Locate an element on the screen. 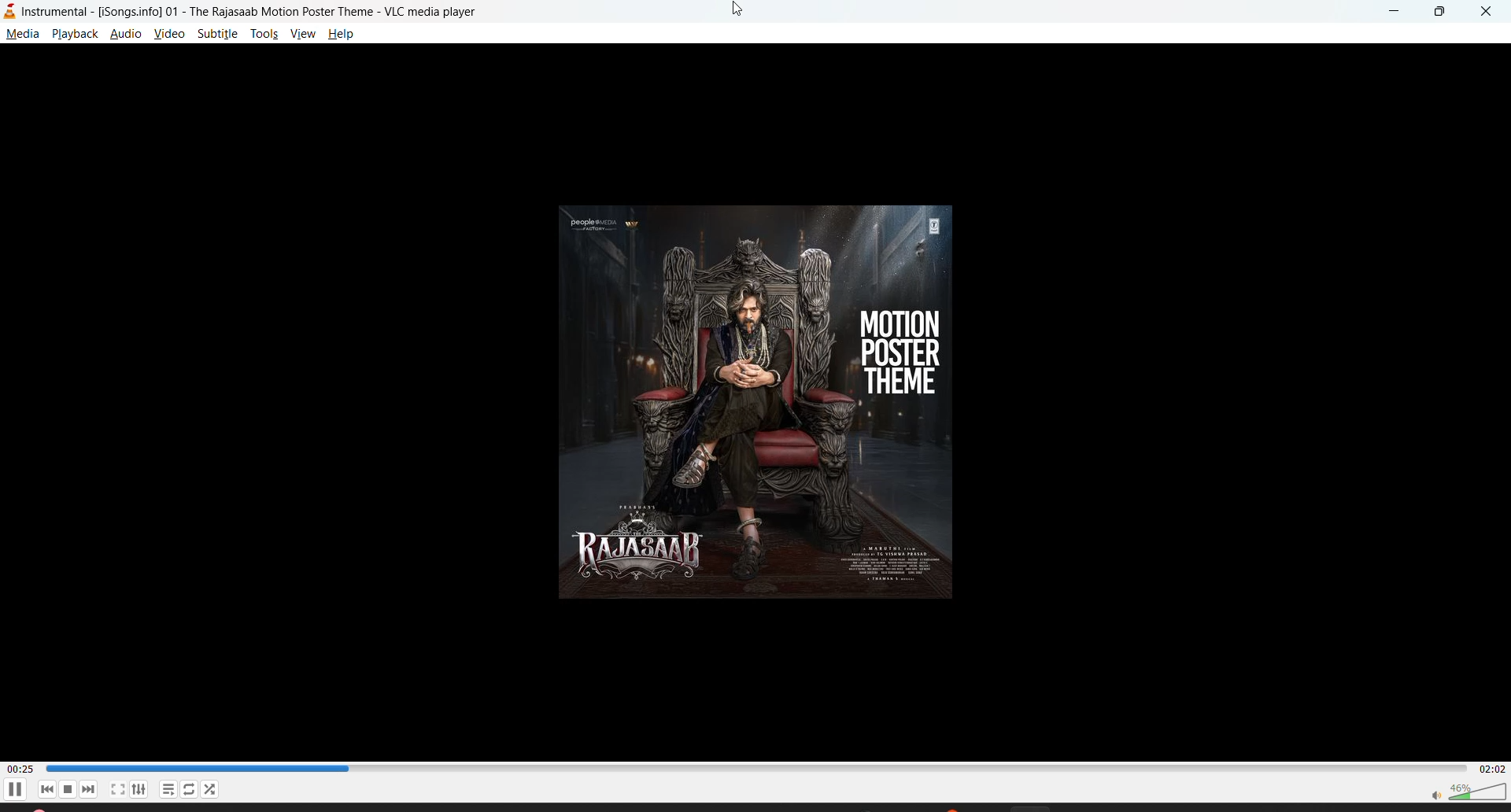  previous is located at coordinates (47, 790).